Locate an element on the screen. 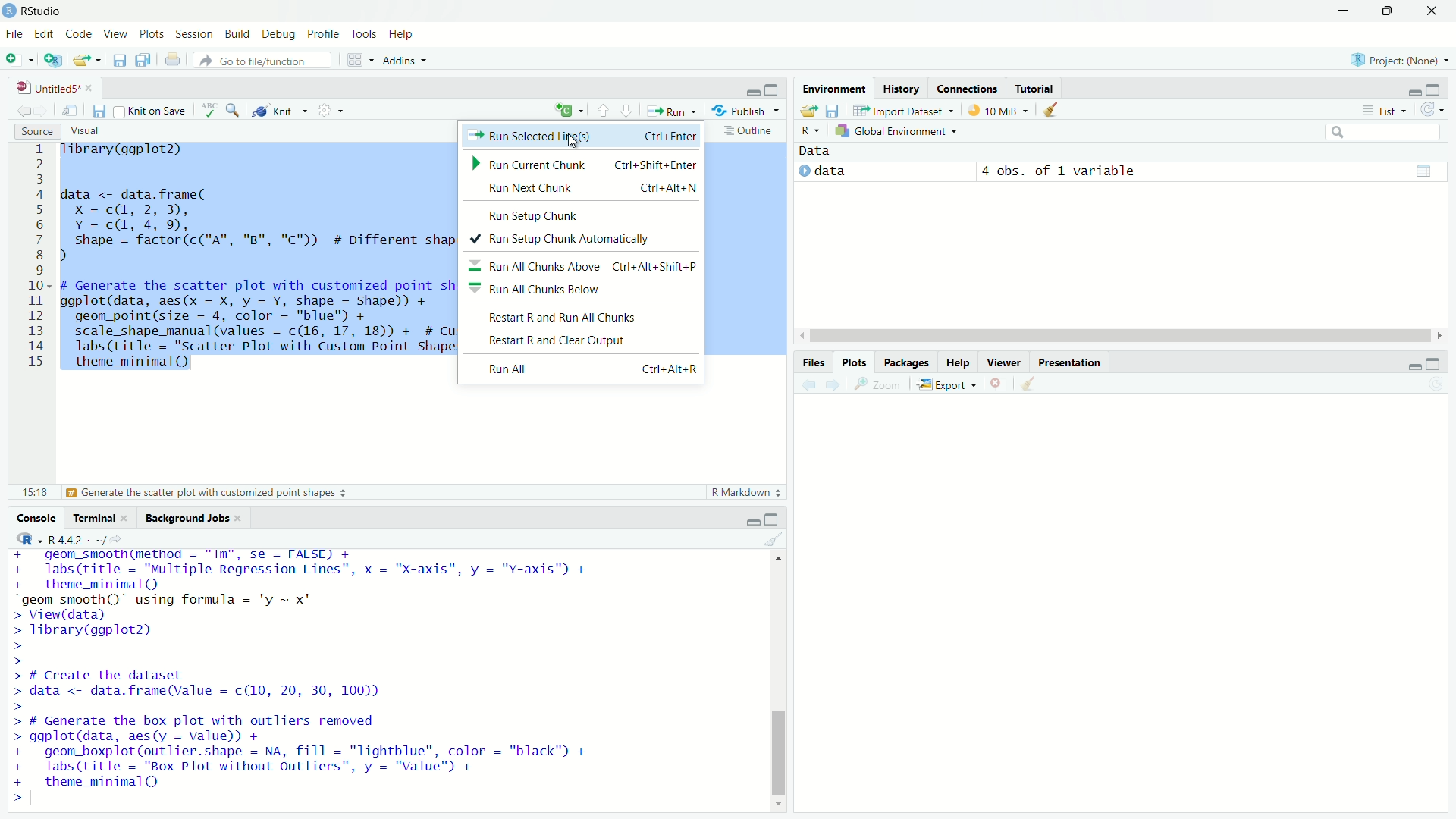 The image size is (1456, 819). Next plot is located at coordinates (832, 384).